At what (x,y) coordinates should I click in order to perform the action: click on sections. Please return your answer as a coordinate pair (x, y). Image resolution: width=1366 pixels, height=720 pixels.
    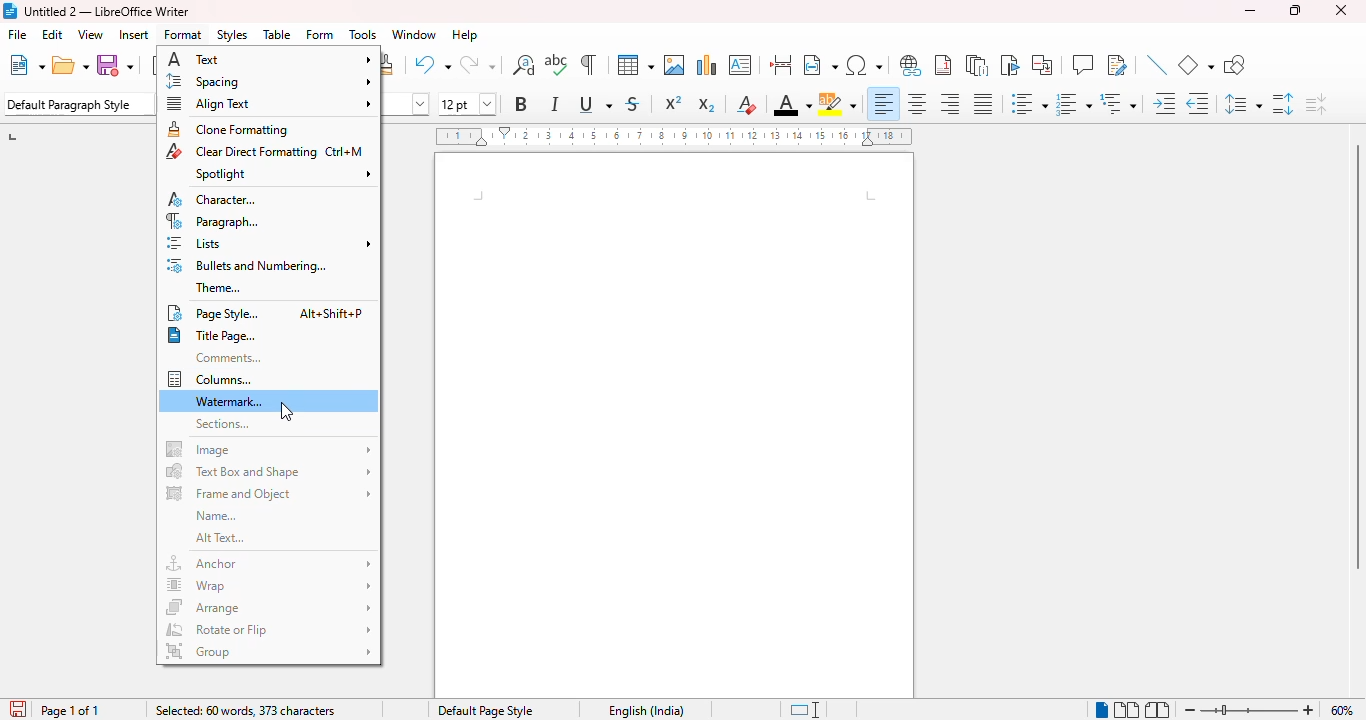
    Looking at the image, I should click on (222, 424).